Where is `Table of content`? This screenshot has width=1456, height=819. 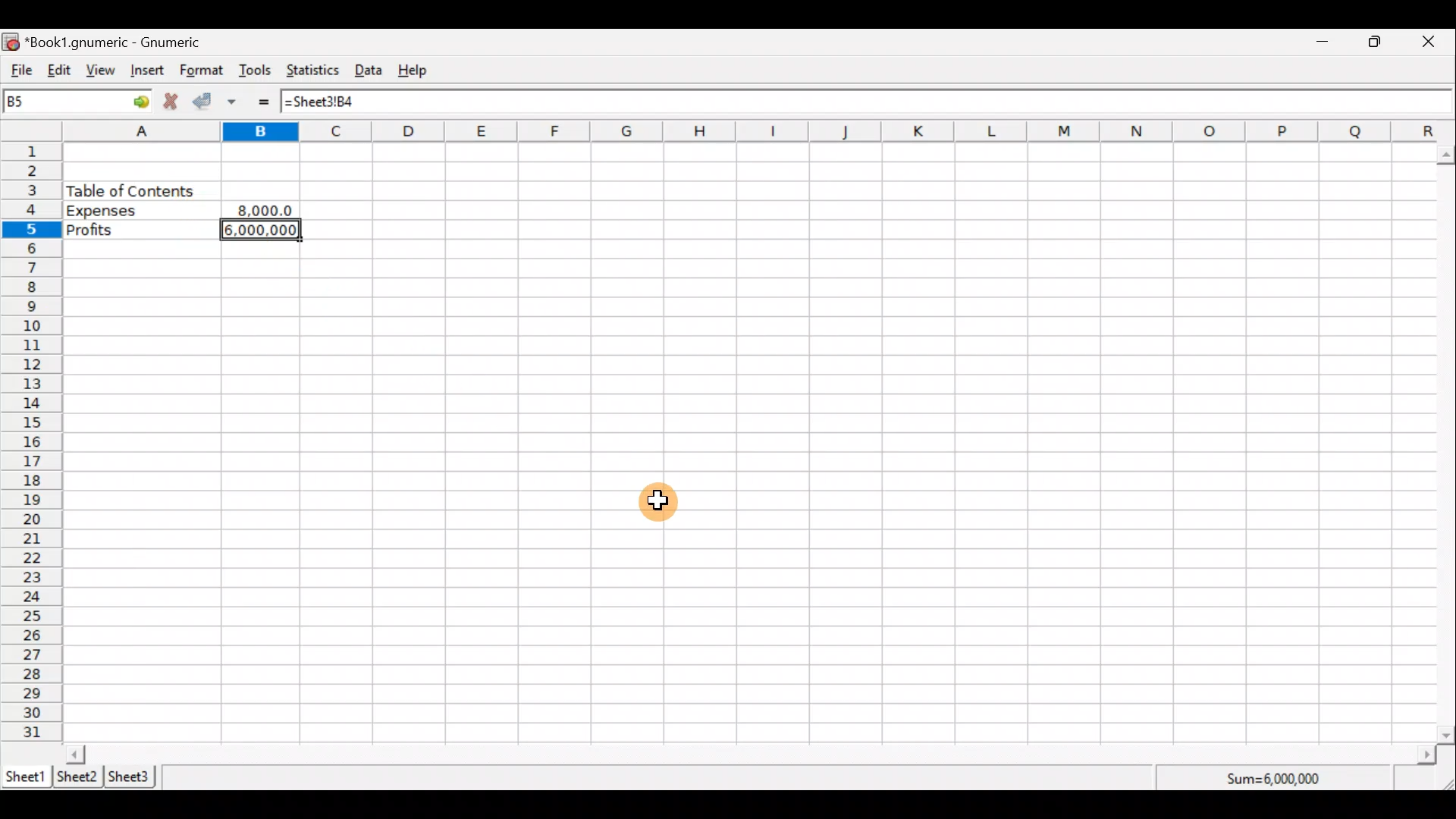 Table of content is located at coordinates (130, 190).